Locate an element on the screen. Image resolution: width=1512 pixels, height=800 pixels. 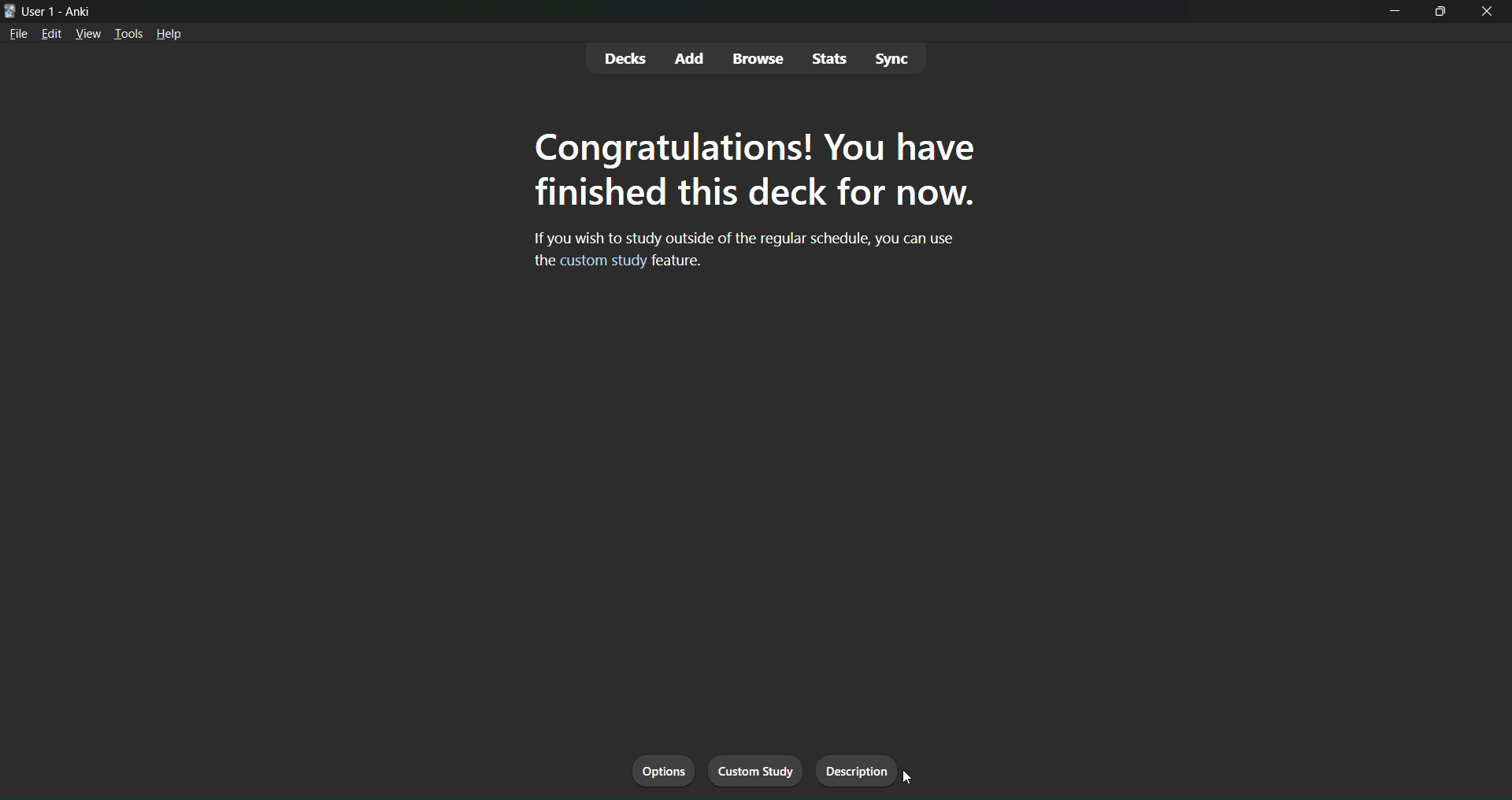
description is located at coordinates (860, 770).